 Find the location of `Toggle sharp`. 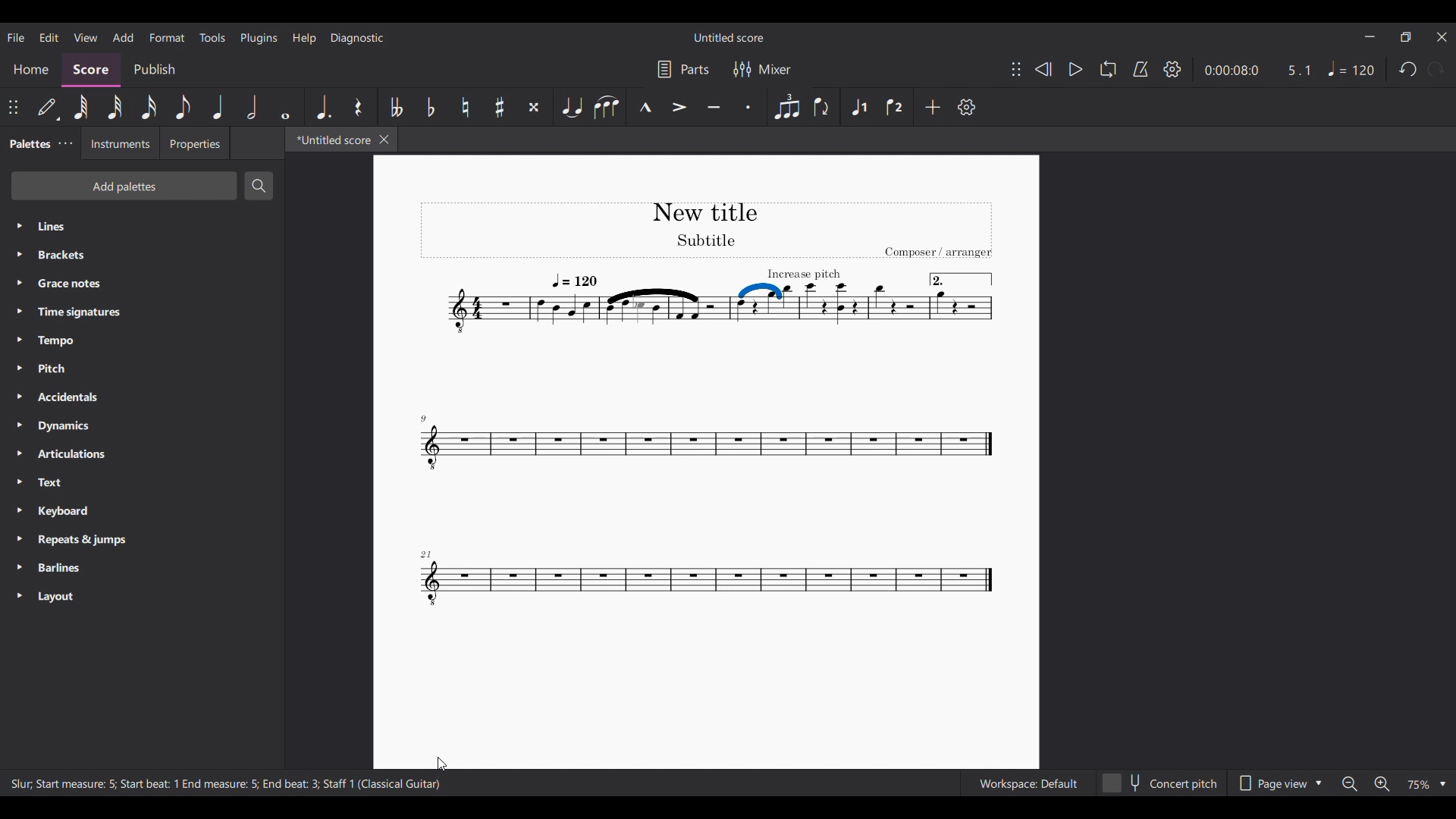

Toggle sharp is located at coordinates (500, 107).